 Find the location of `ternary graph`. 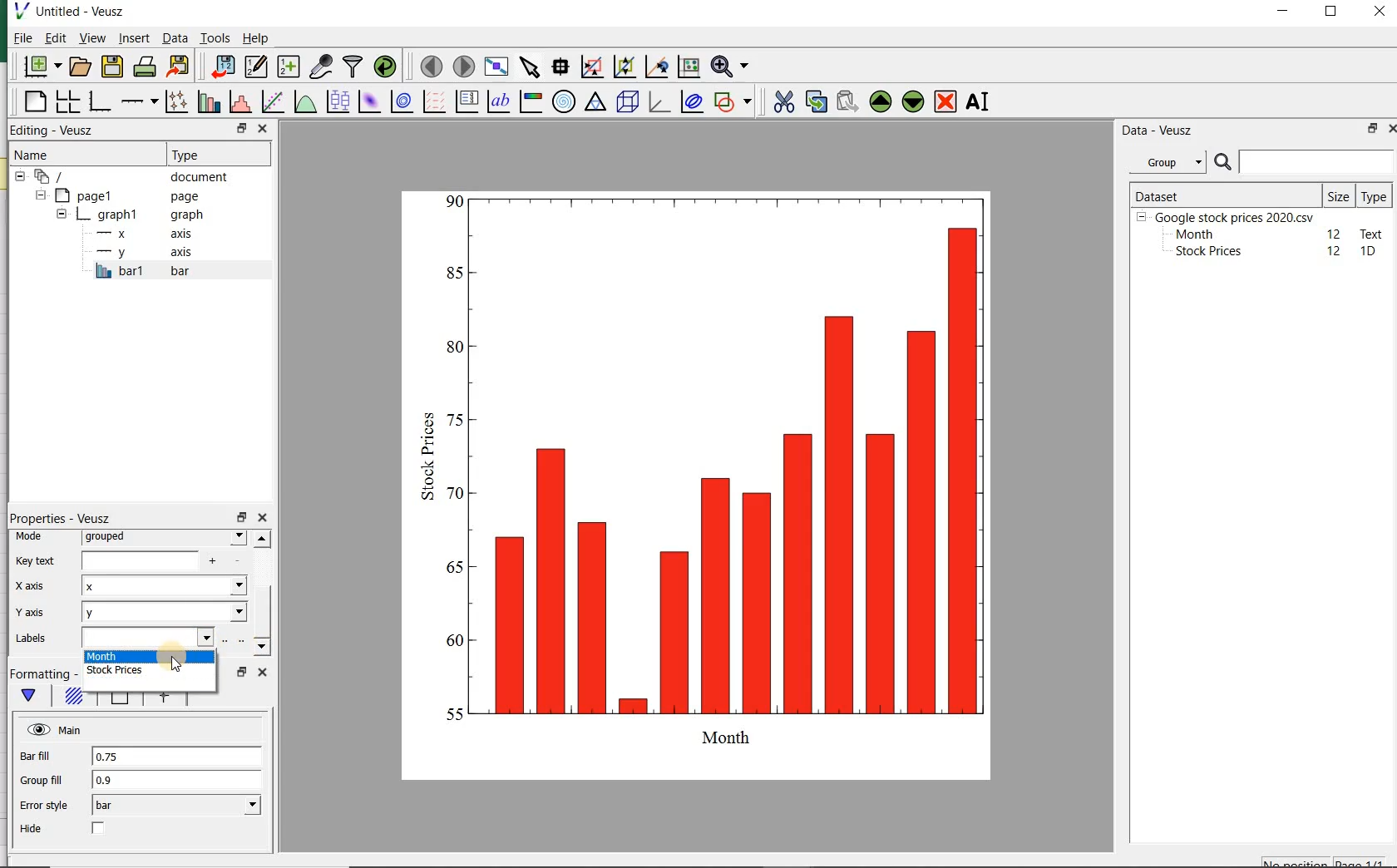

ternary graph is located at coordinates (595, 103).